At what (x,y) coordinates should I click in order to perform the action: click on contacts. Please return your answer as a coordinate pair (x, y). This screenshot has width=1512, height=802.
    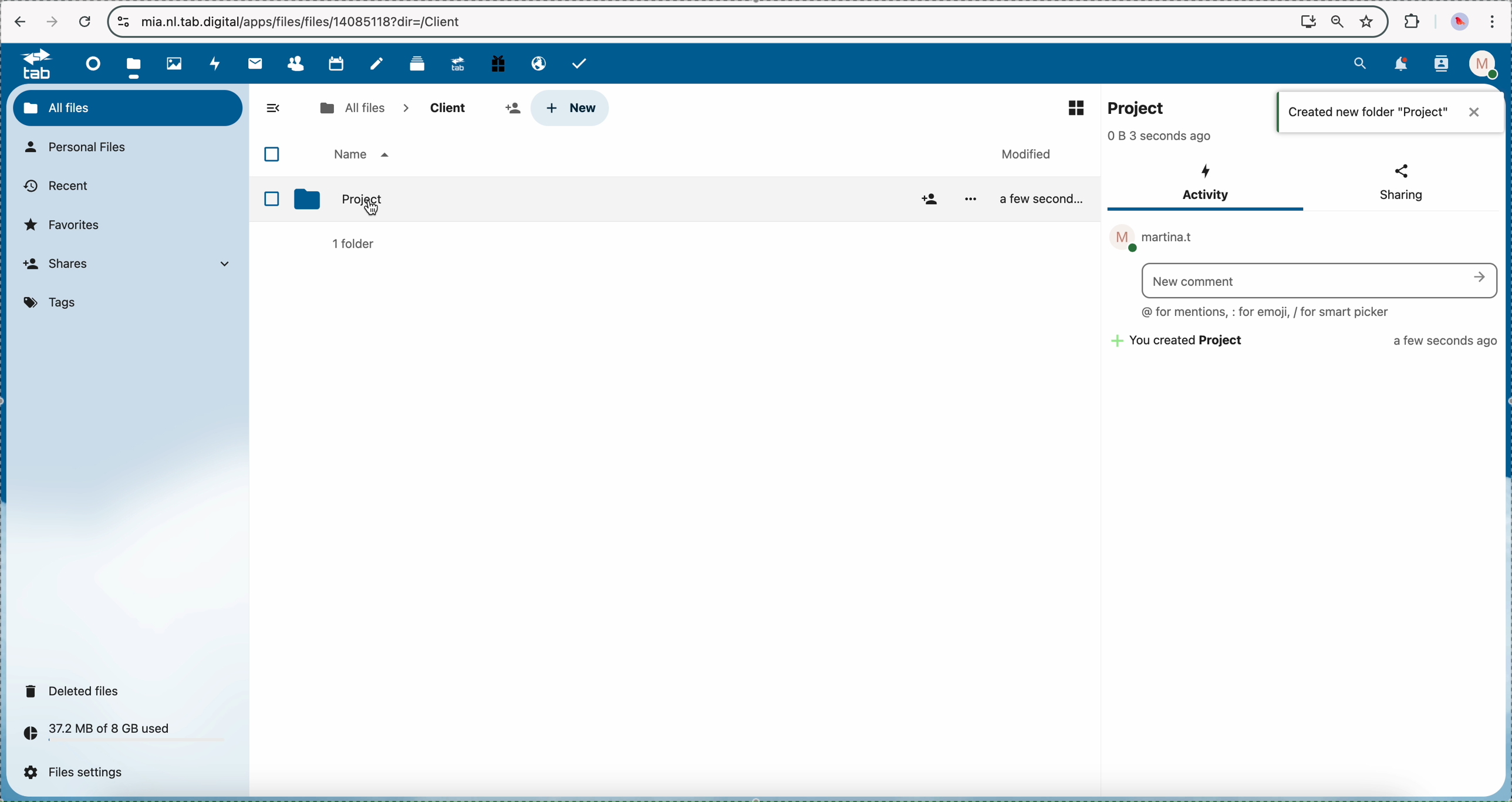
    Looking at the image, I should click on (295, 64).